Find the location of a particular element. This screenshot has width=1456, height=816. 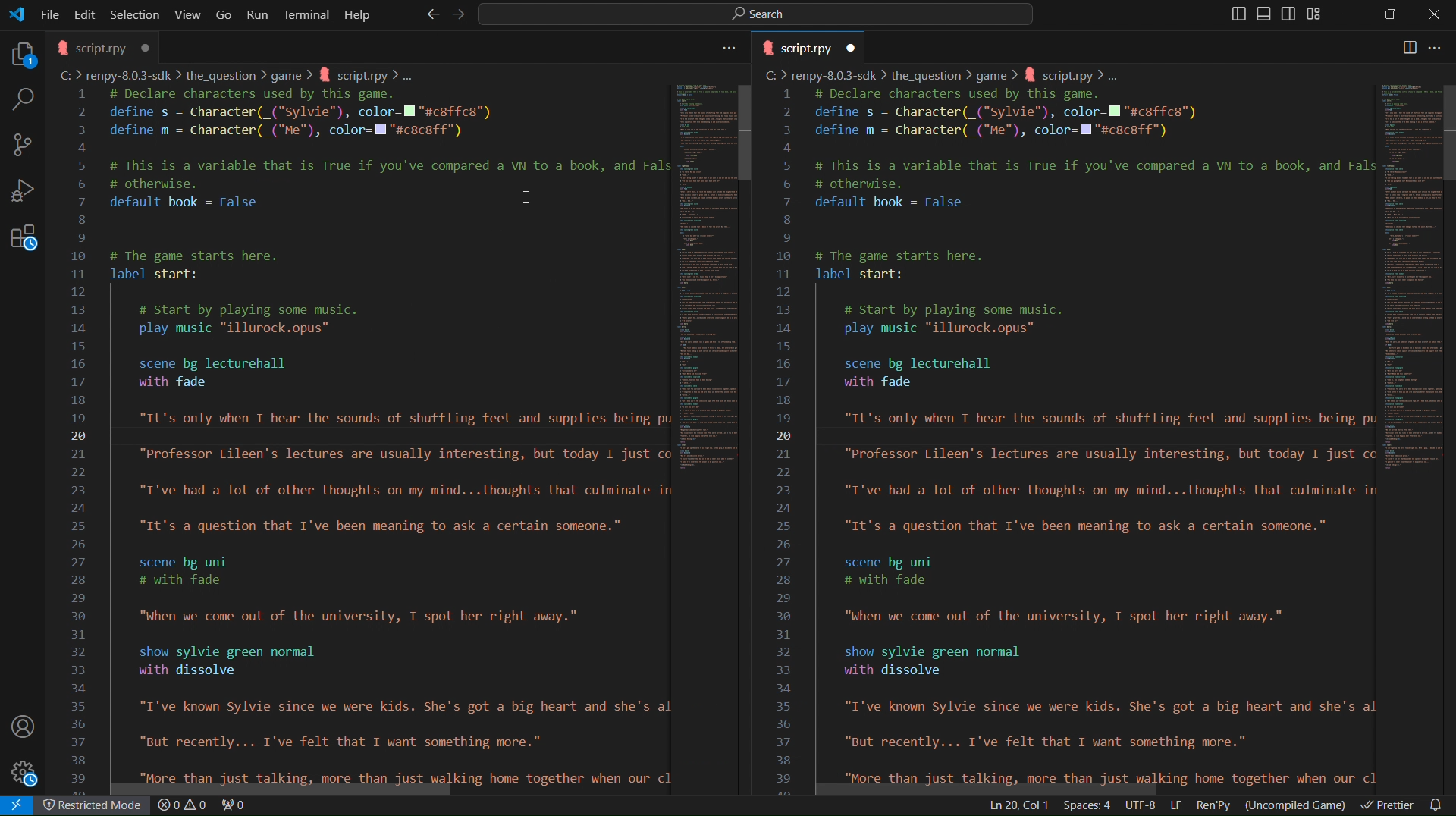

Split Editor is located at coordinates (1410, 46).